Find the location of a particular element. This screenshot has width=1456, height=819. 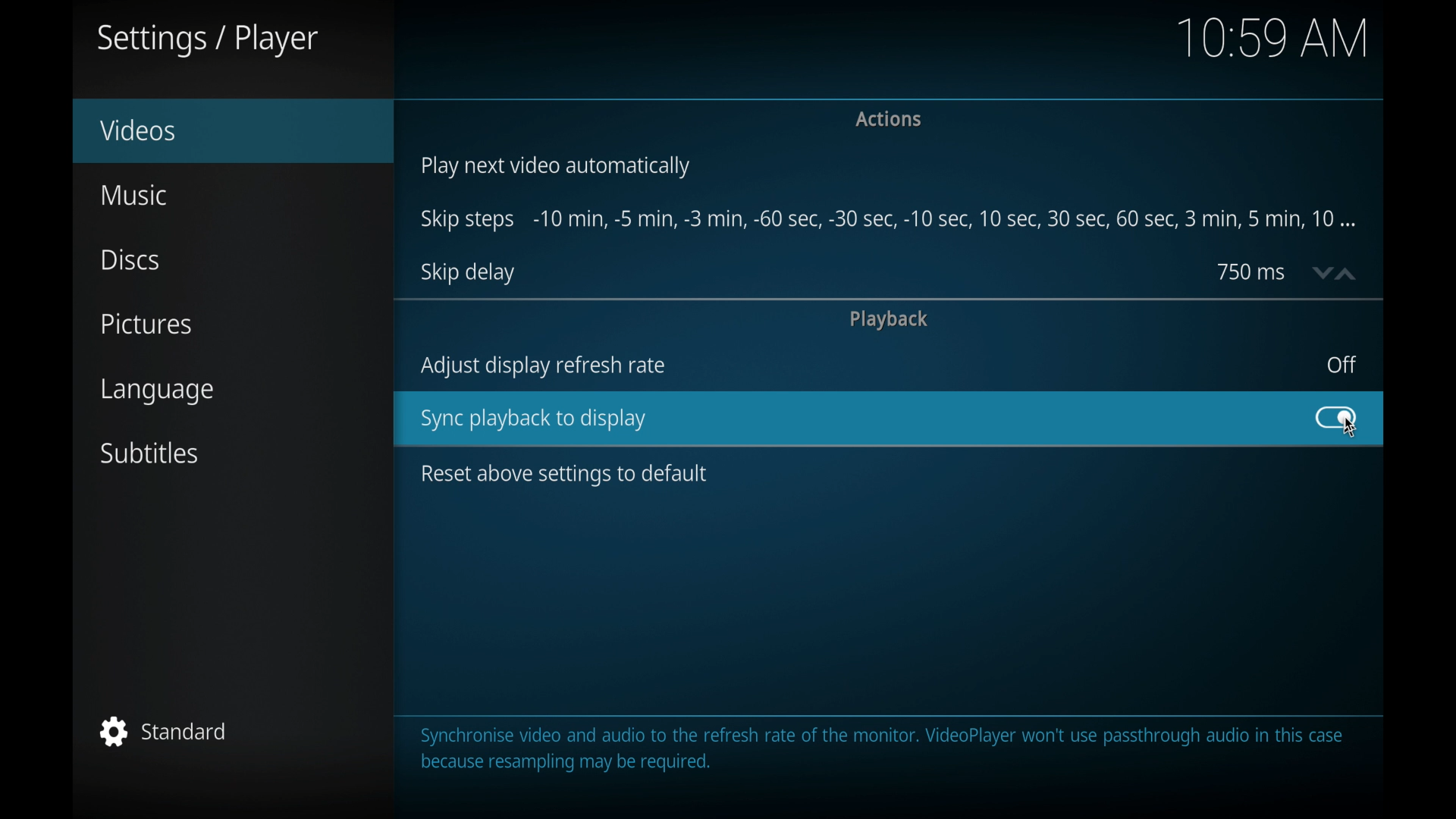

music is located at coordinates (136, 196).